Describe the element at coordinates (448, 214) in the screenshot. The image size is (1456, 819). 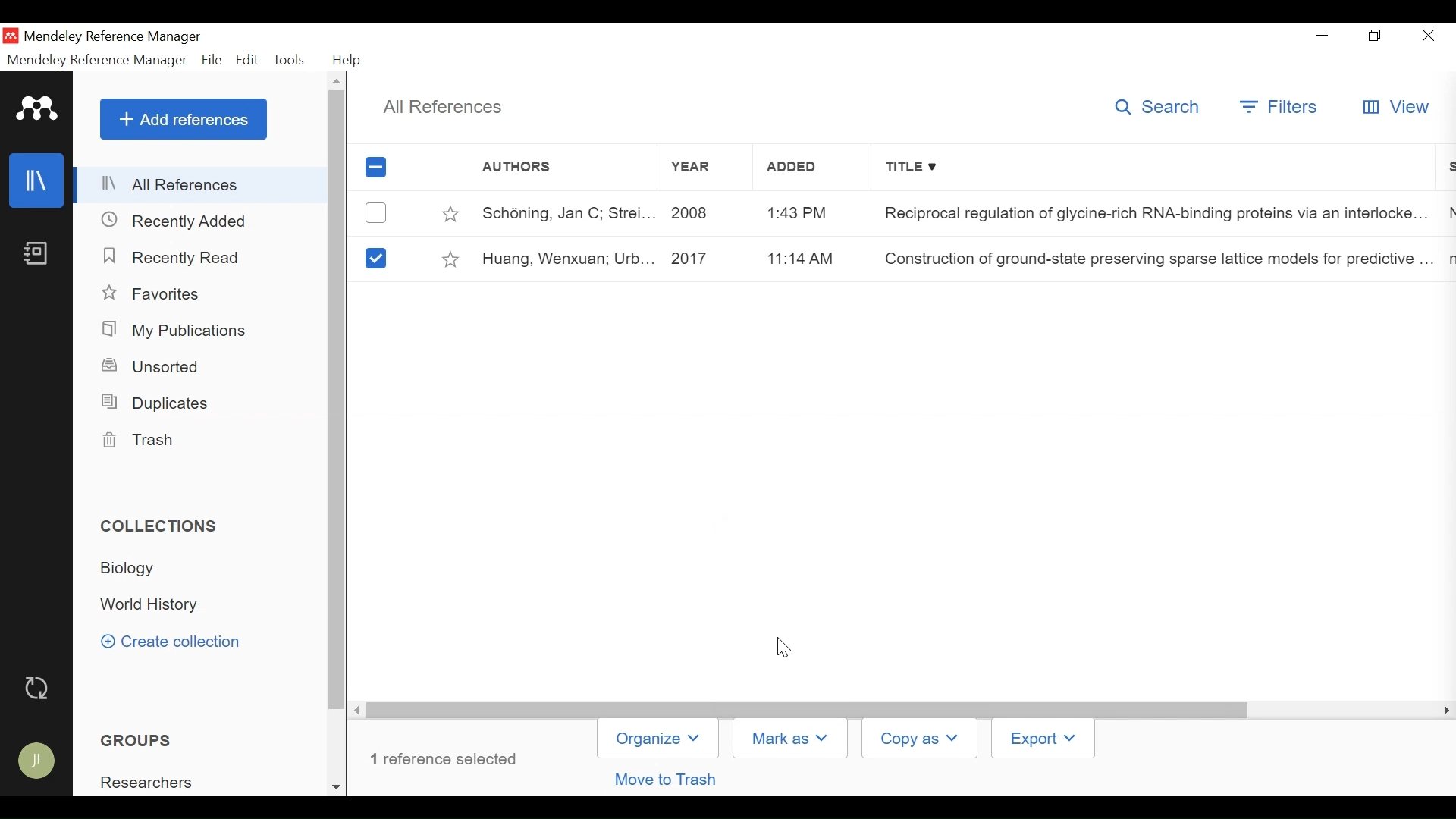
I see `Toggle Favorites` at that location.